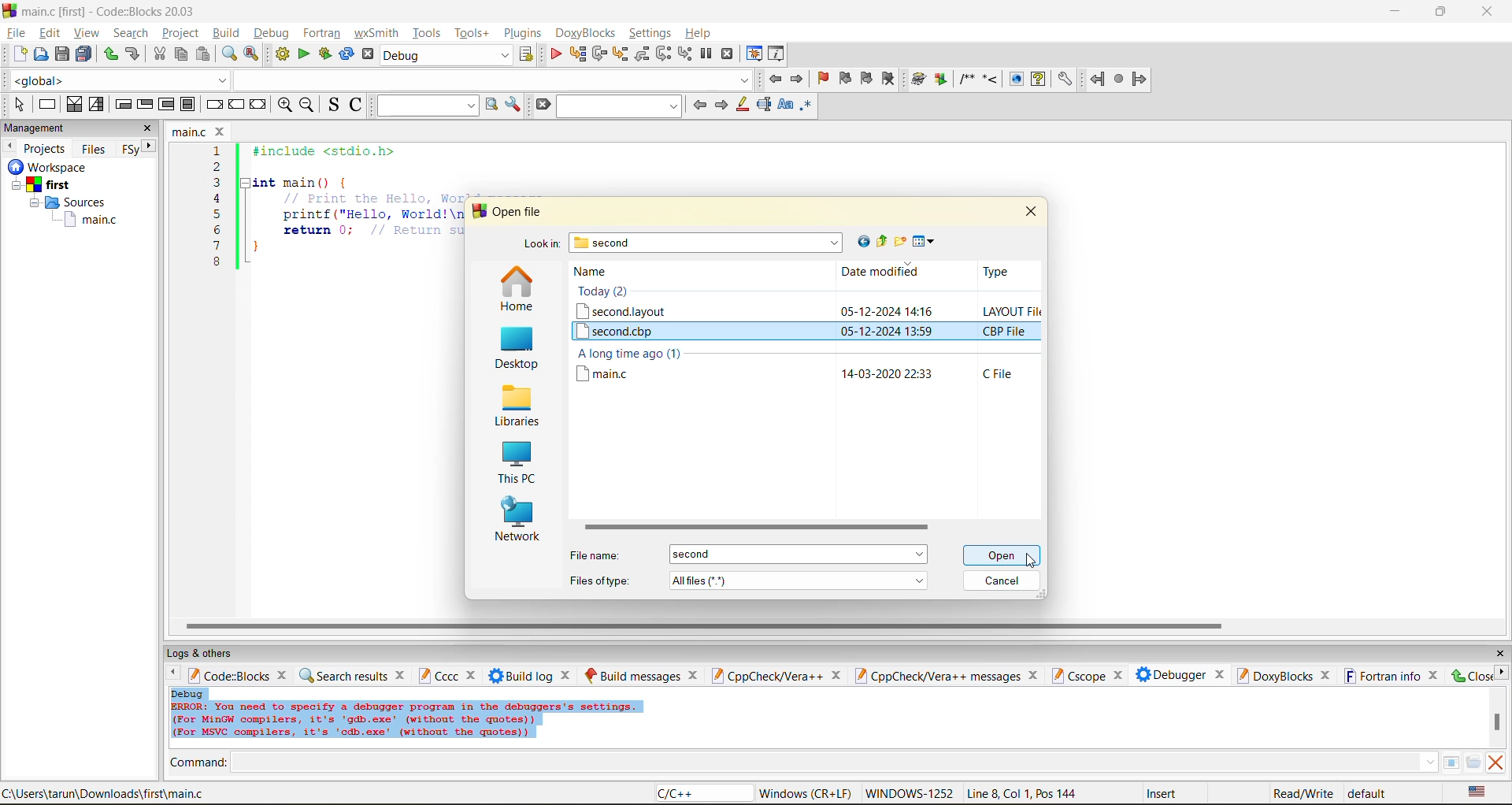  What do you see at coordinates (1273, 675) in the screenshot?
I see `doxyblocks` at bounding box center [1273, 675].